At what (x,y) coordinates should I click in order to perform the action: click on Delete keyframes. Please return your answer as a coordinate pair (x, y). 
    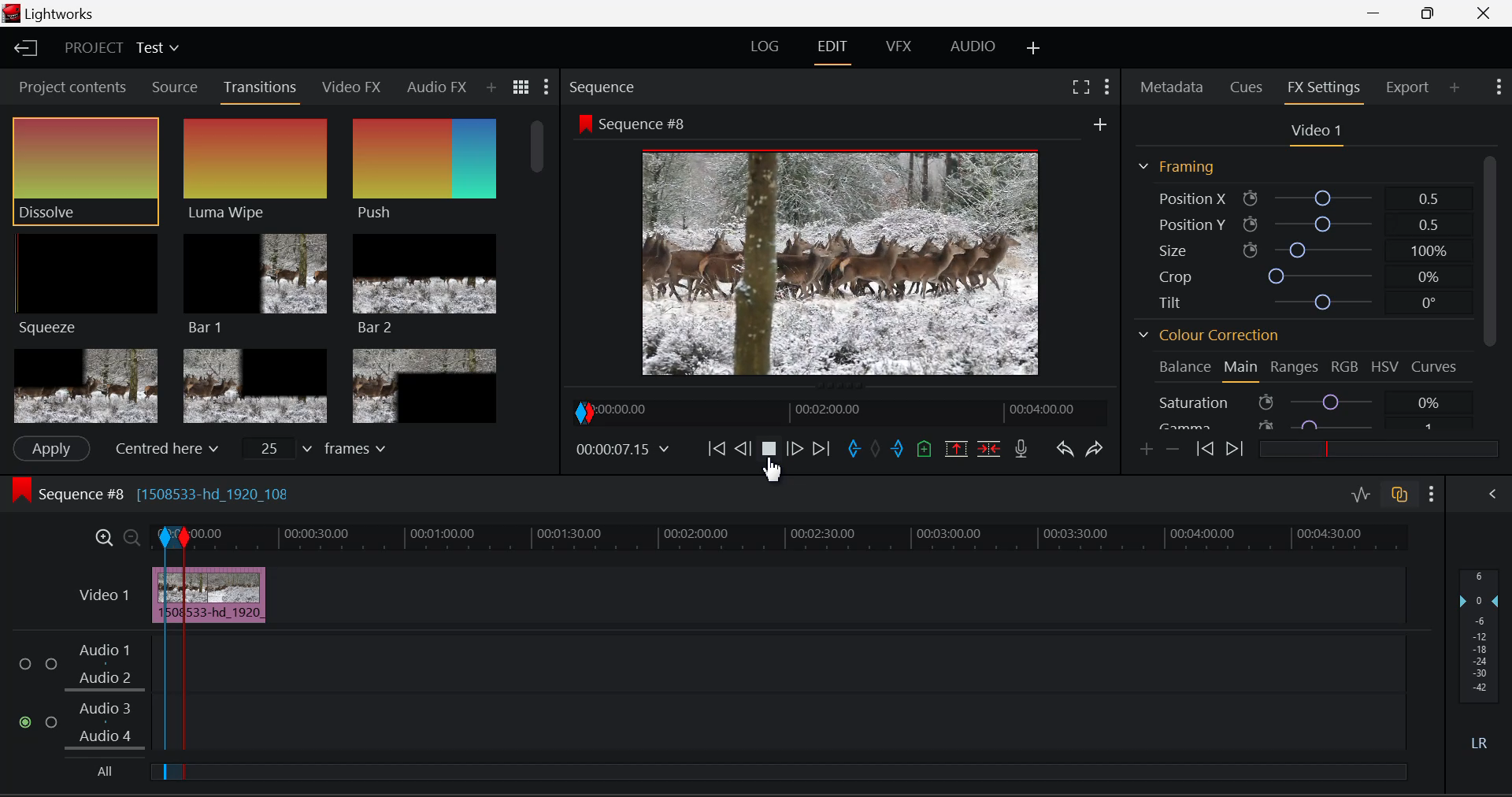
    Looking at the image, I should click on (1172, 448).